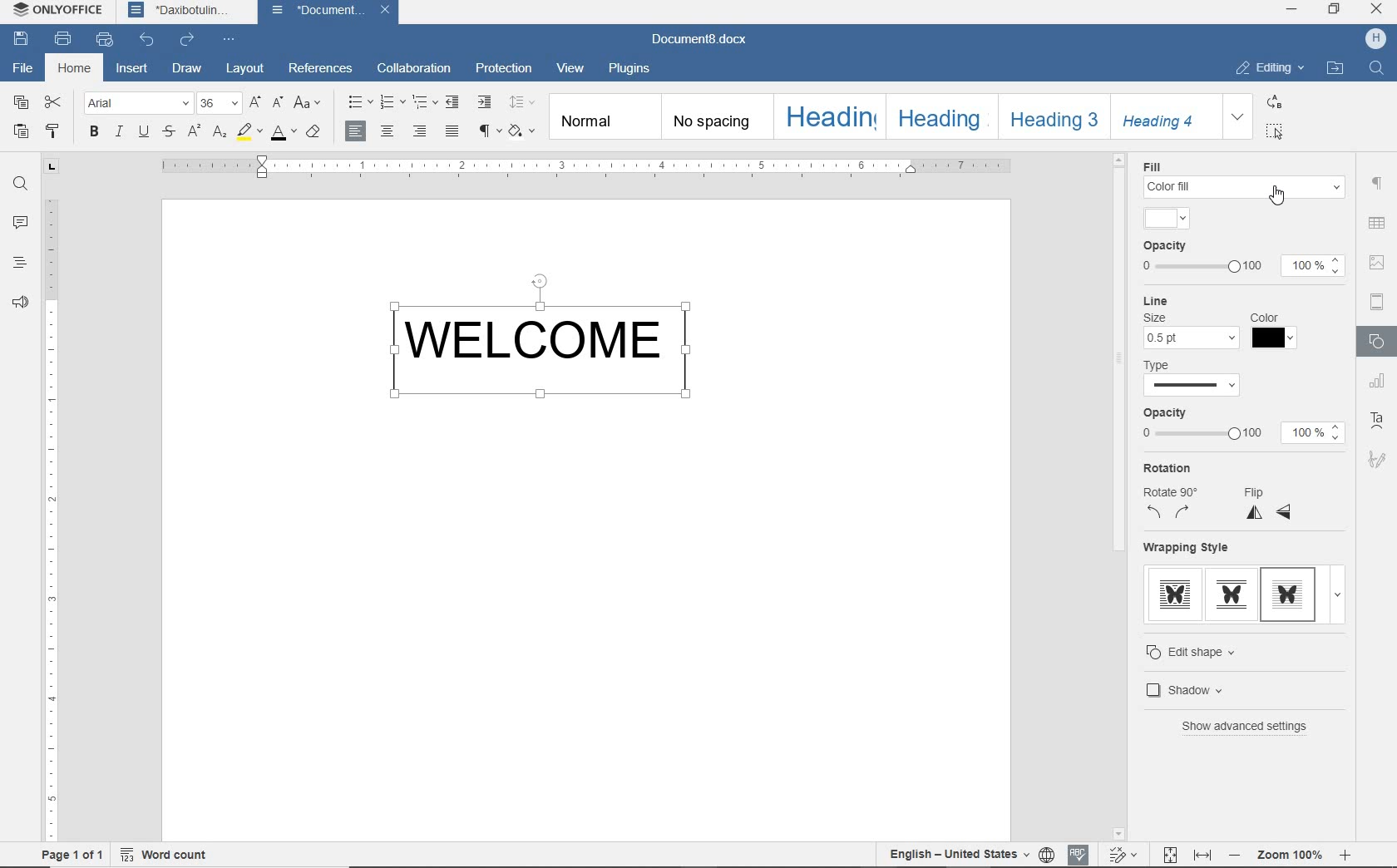 The image size is (1397, 868). I want to click on CLEAR STYLE, so click(521, 131).